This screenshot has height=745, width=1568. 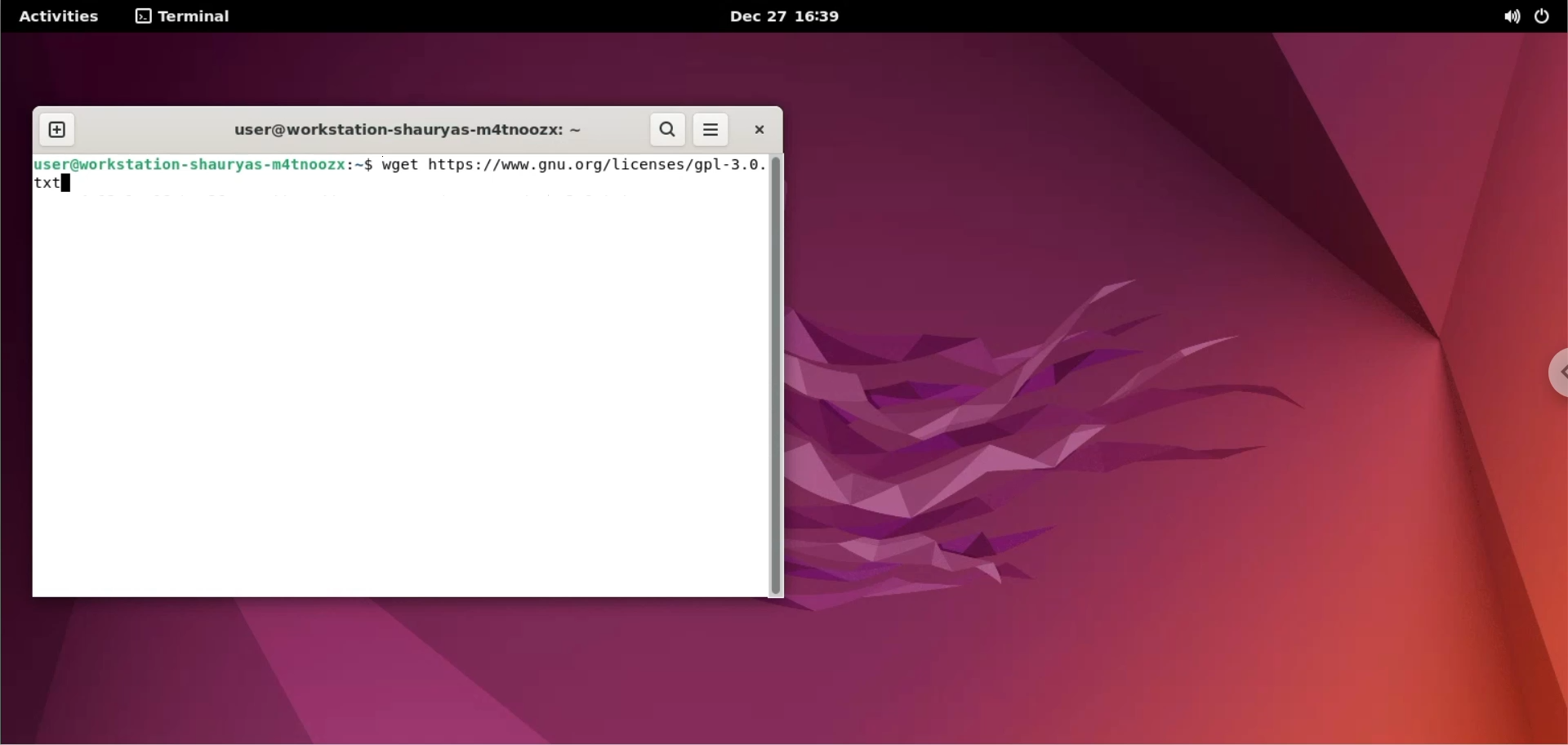 I want to click on workstation nameuser@workstation-shauryas-m4tnoozx: ~$  Link, so click(x=204, y=164).